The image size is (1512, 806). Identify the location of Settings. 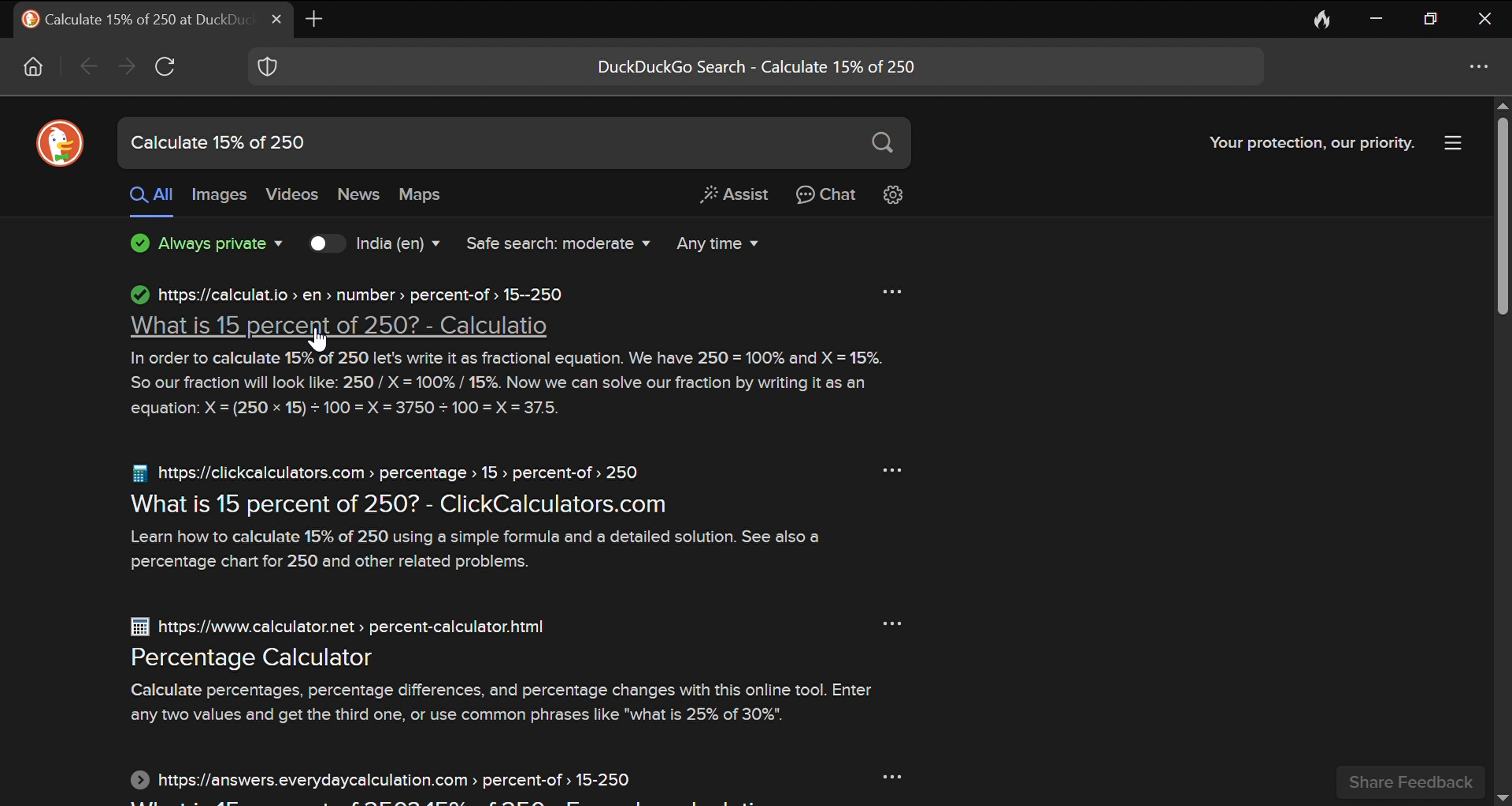
(895, 195).